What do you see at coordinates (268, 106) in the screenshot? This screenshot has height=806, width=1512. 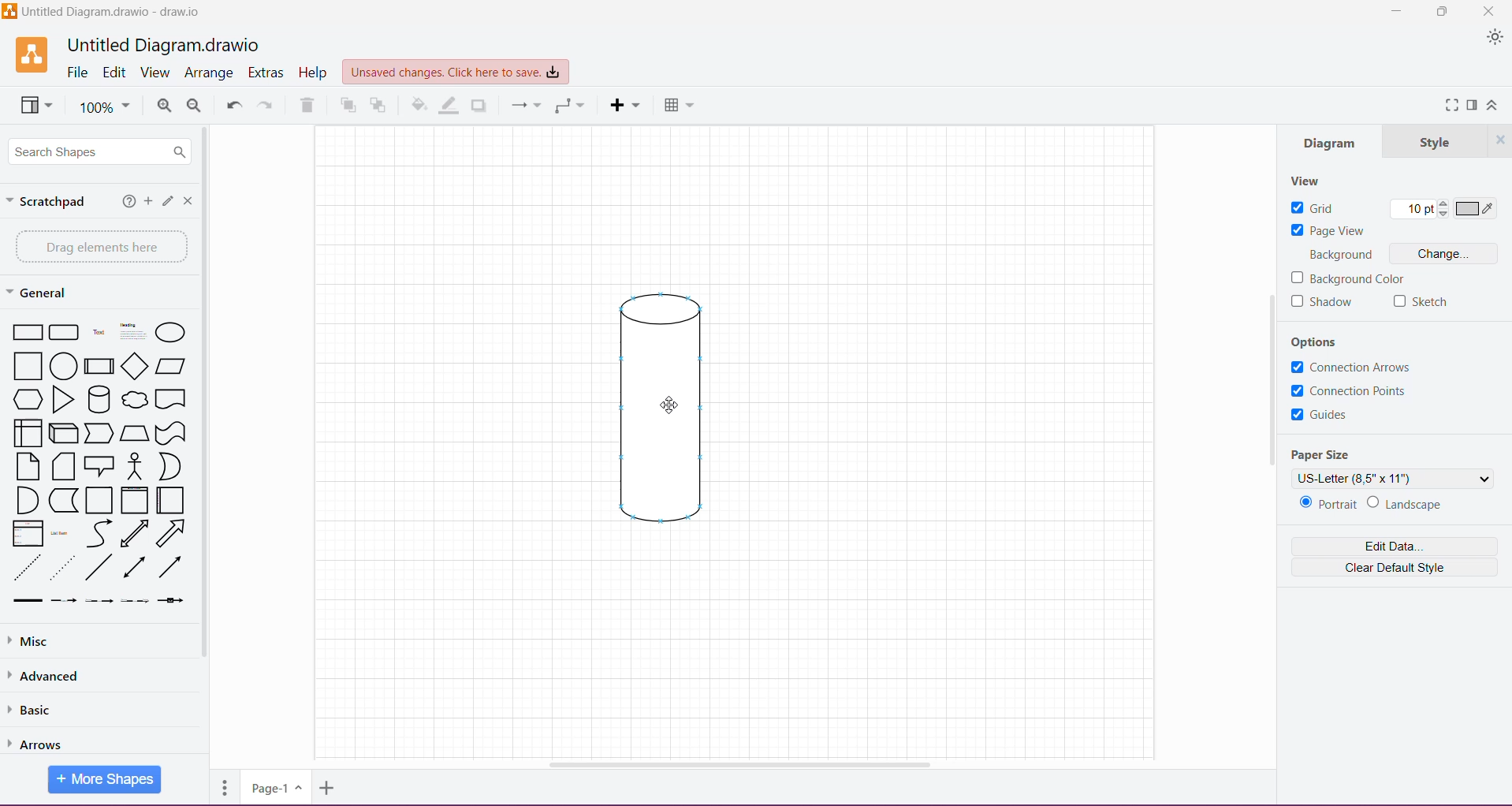 I see `Redo` at bounding box center [268, 106].